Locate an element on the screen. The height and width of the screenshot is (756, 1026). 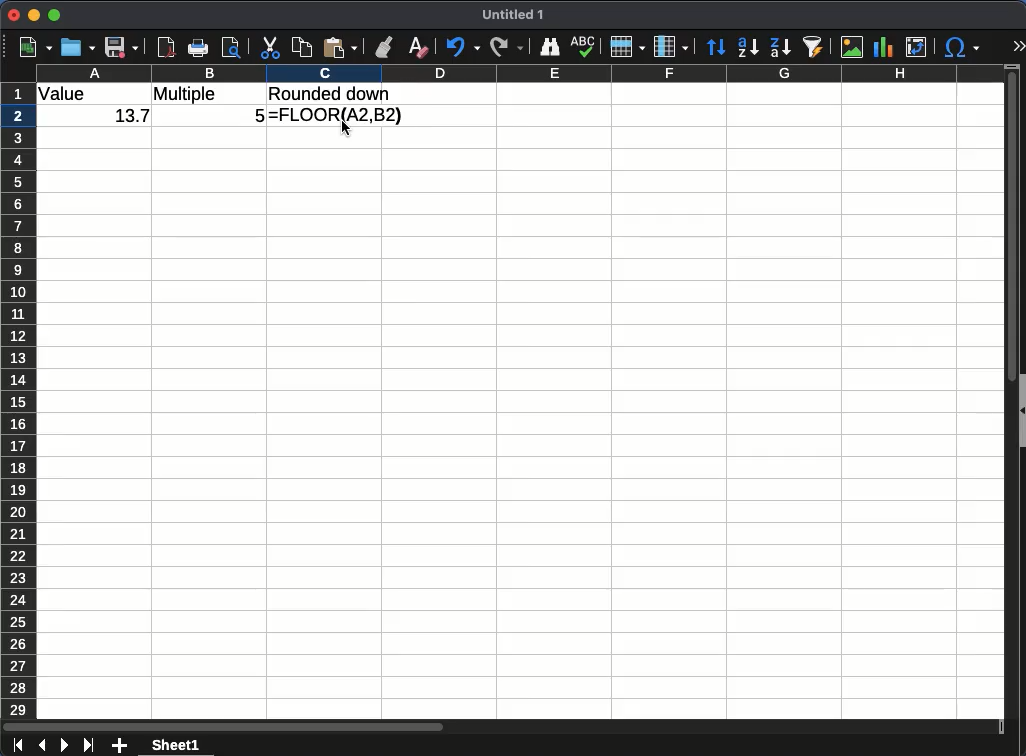
print preview is located at coordinates (232, 49).